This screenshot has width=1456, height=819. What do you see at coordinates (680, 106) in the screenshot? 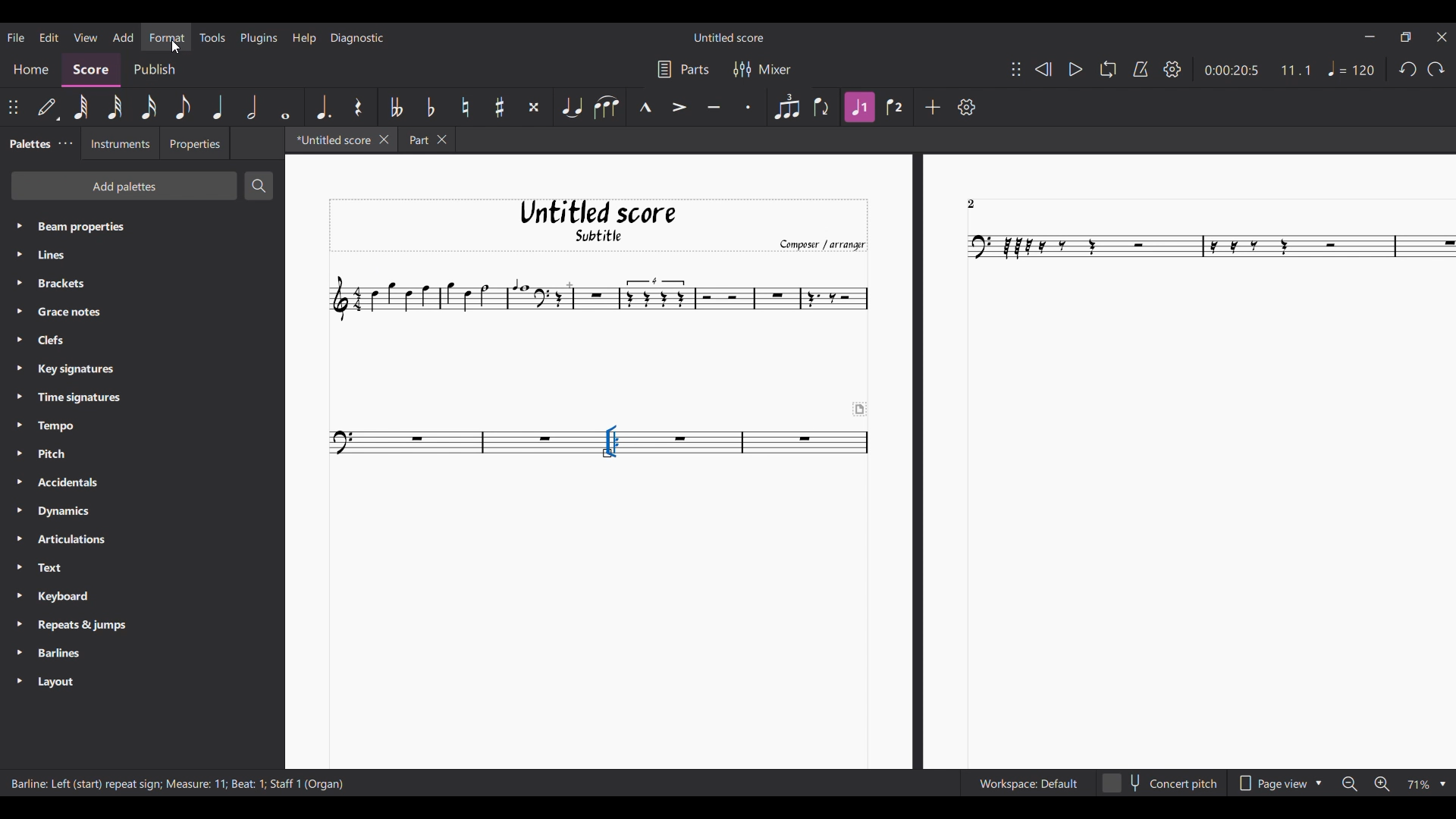
I see `Accent` at bounding box center [680, 106].